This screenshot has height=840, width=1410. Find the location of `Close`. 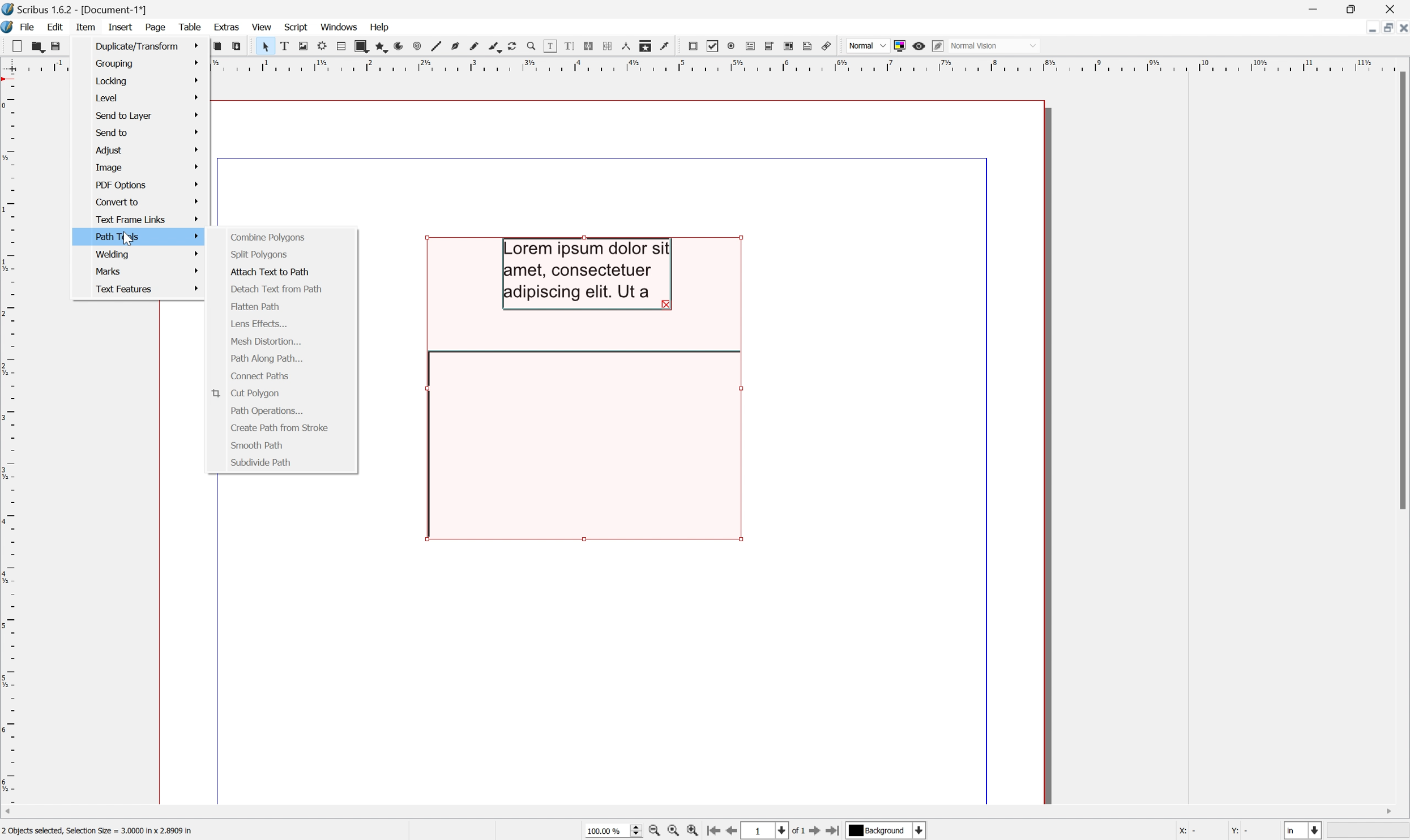

Close is located at coordinates (1401, 27).